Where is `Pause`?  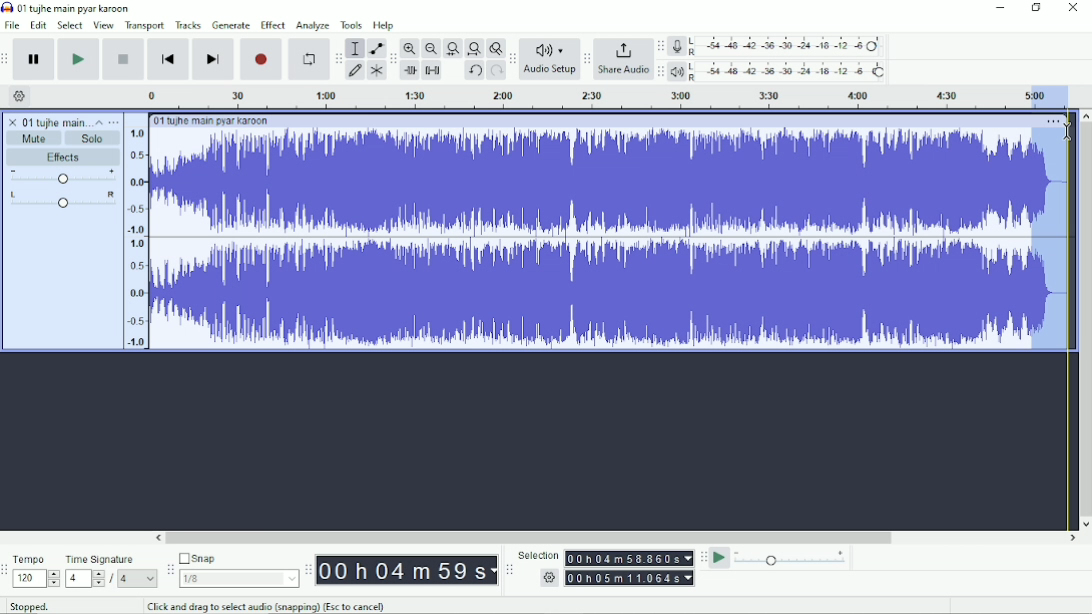
Pause is located at coordinates (34, 59).